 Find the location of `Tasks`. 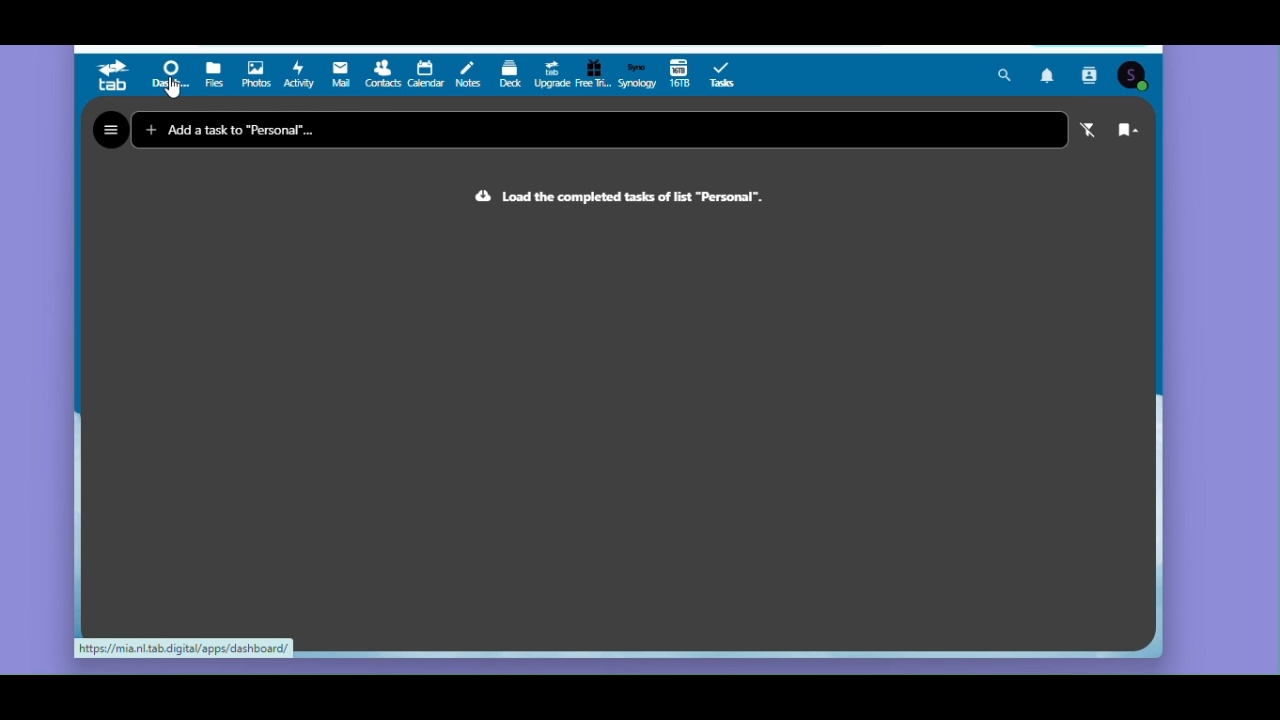

Tasks is located at coordinates (723, 76).